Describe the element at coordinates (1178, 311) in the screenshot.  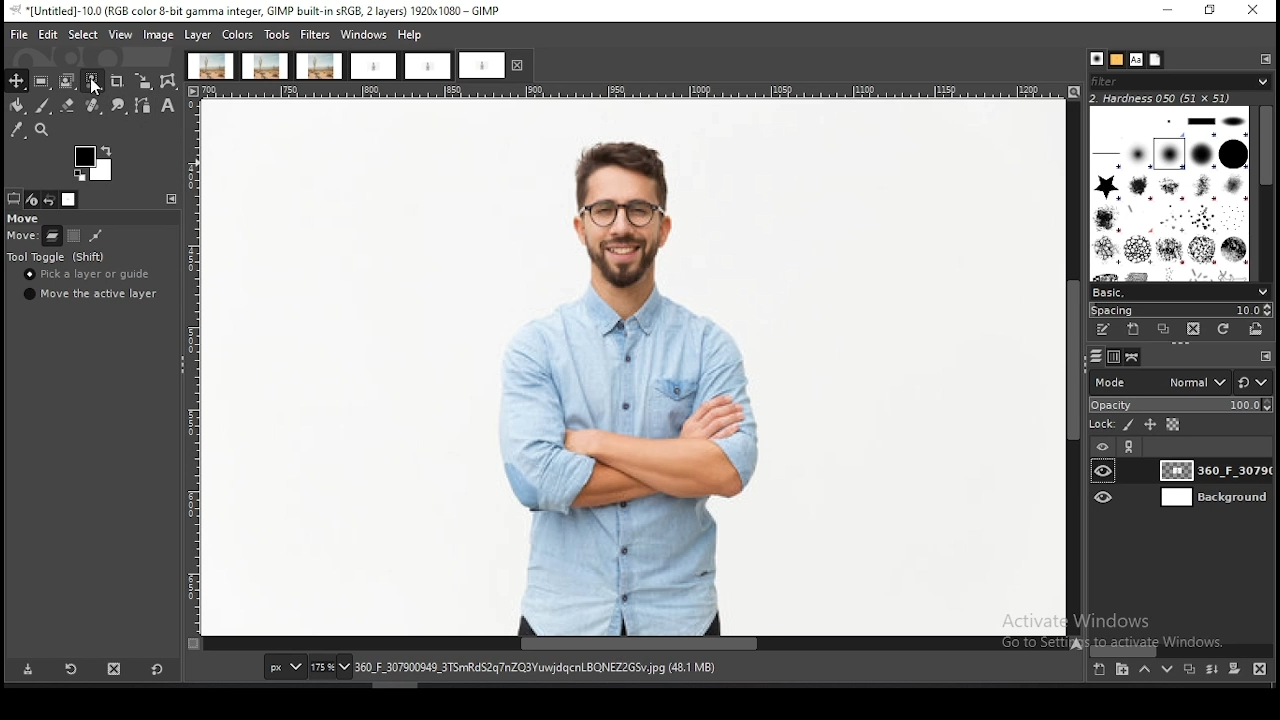
I see `spacing` at that location.